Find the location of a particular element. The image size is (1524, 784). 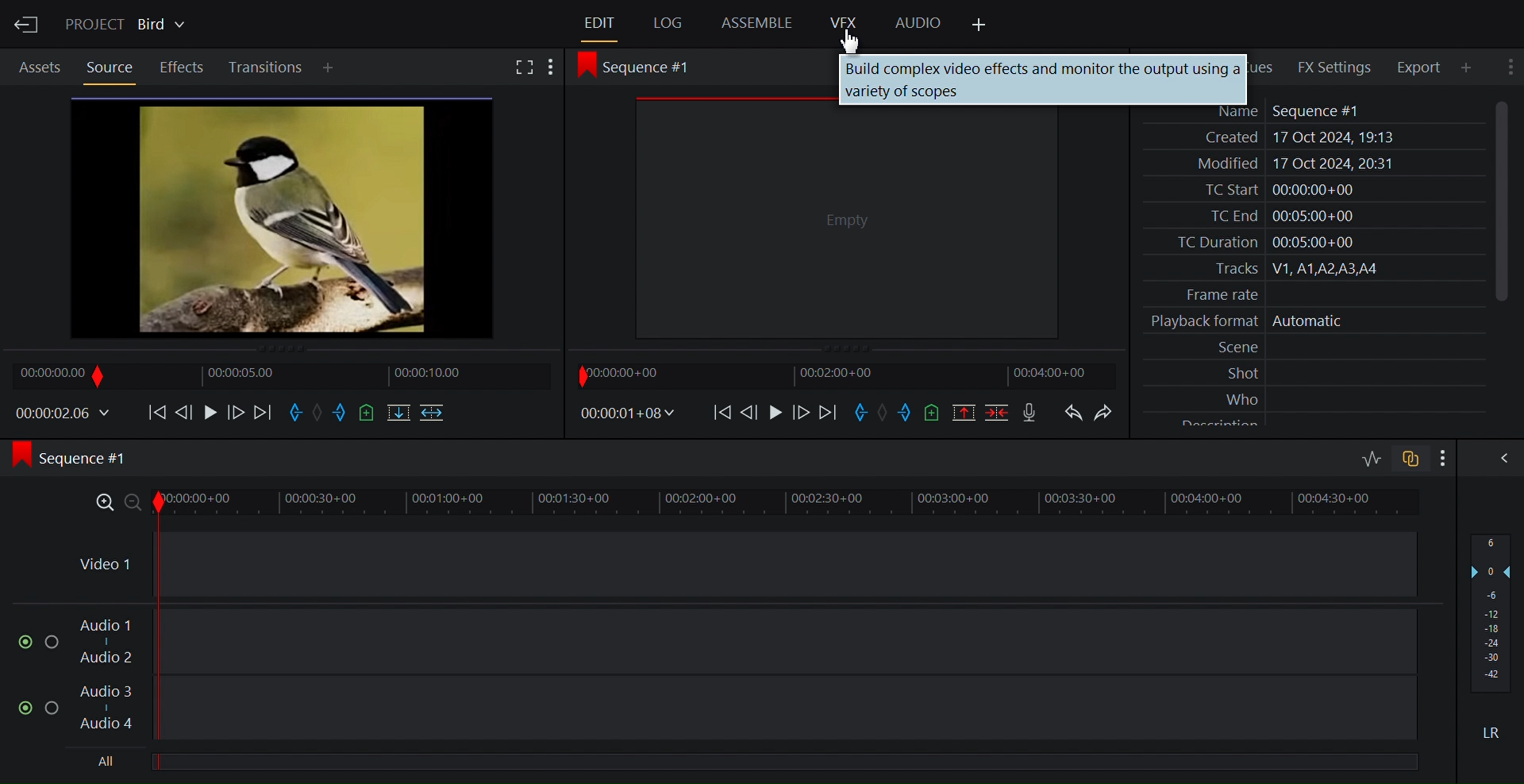

Zoom Timeline is located at coordinates (740, 505).